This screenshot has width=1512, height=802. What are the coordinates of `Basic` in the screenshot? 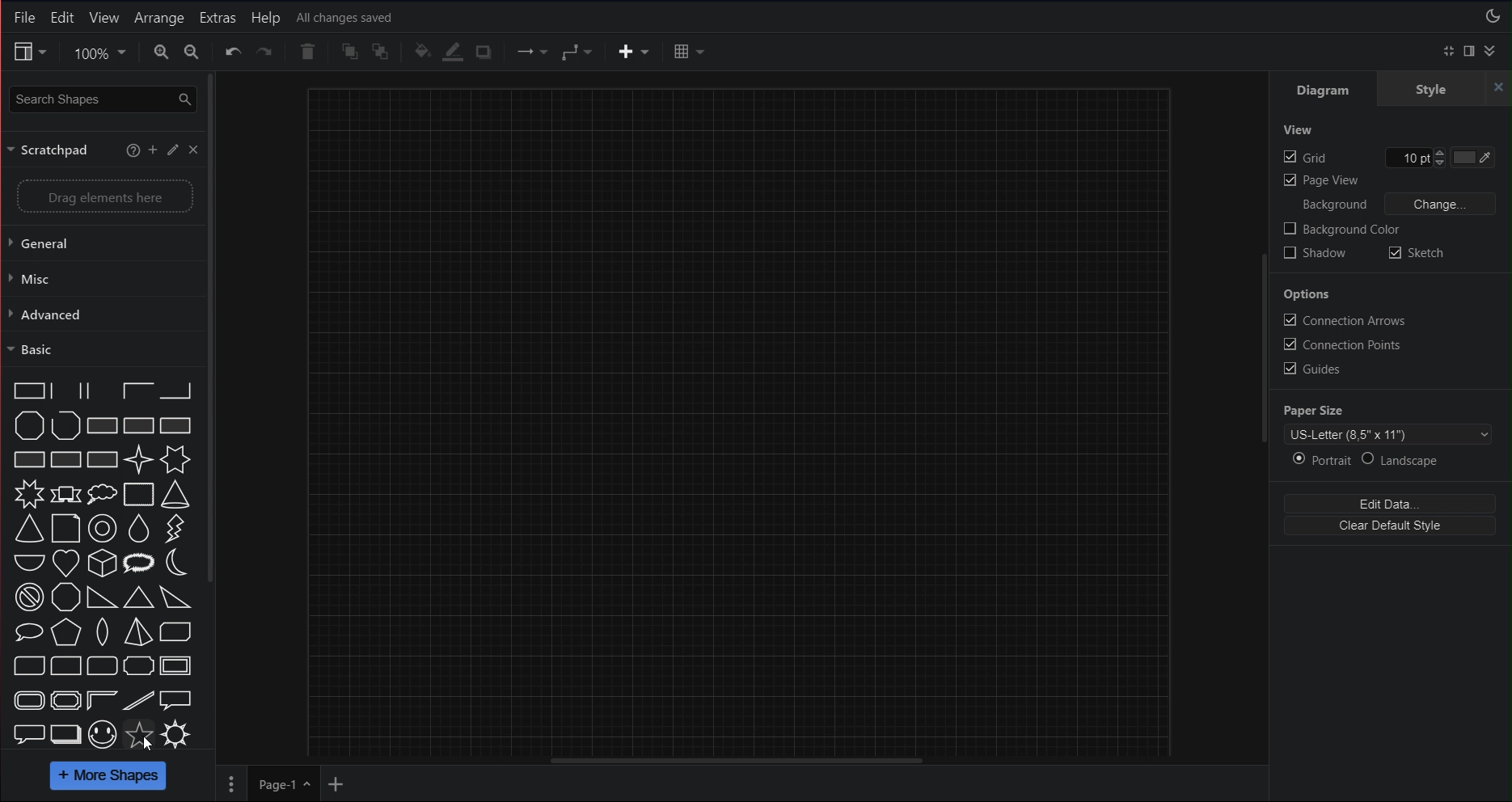 It's located at (99, 348).